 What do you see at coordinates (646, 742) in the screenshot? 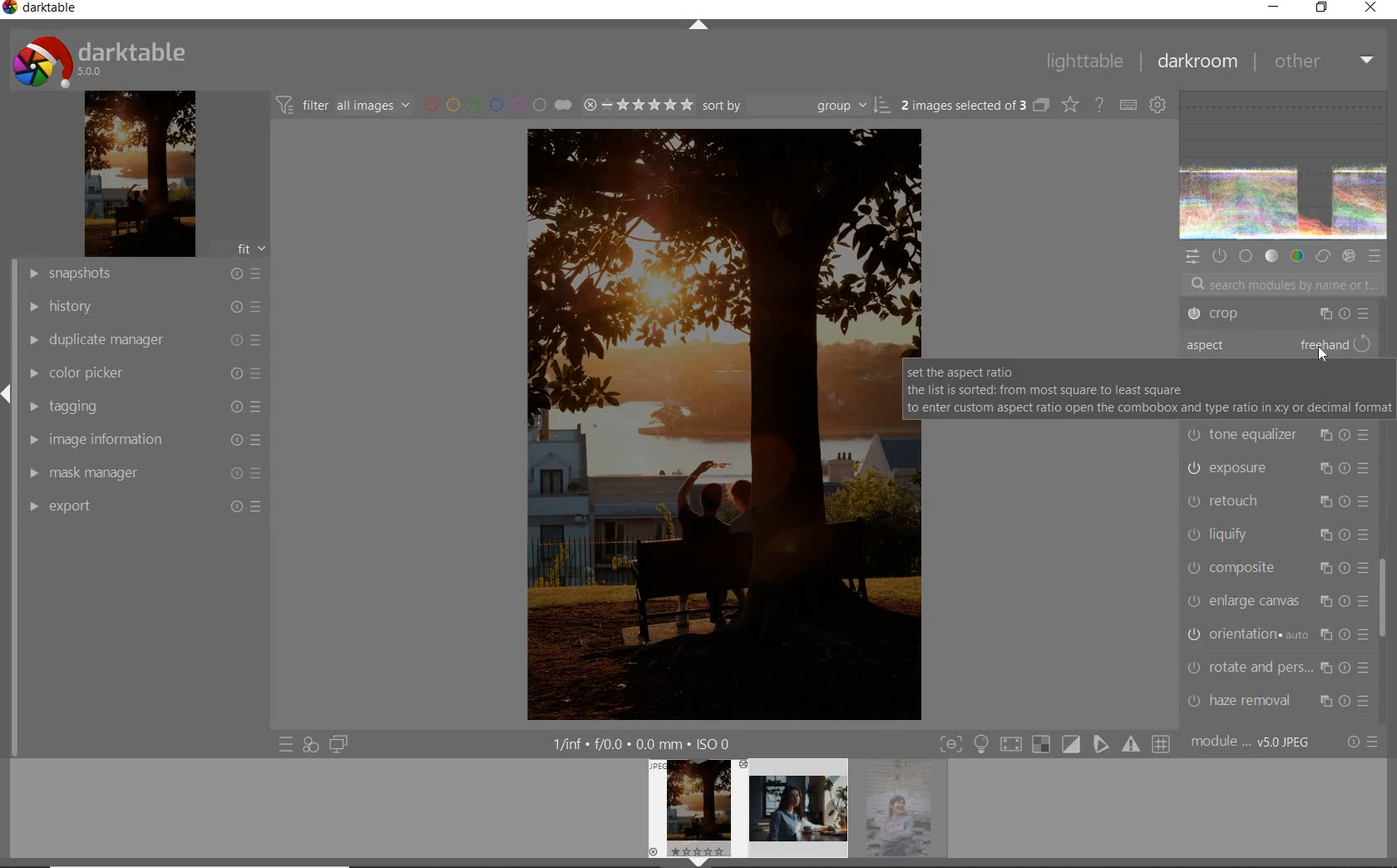
I see `other interface detail` at bounding box center [646, 742].